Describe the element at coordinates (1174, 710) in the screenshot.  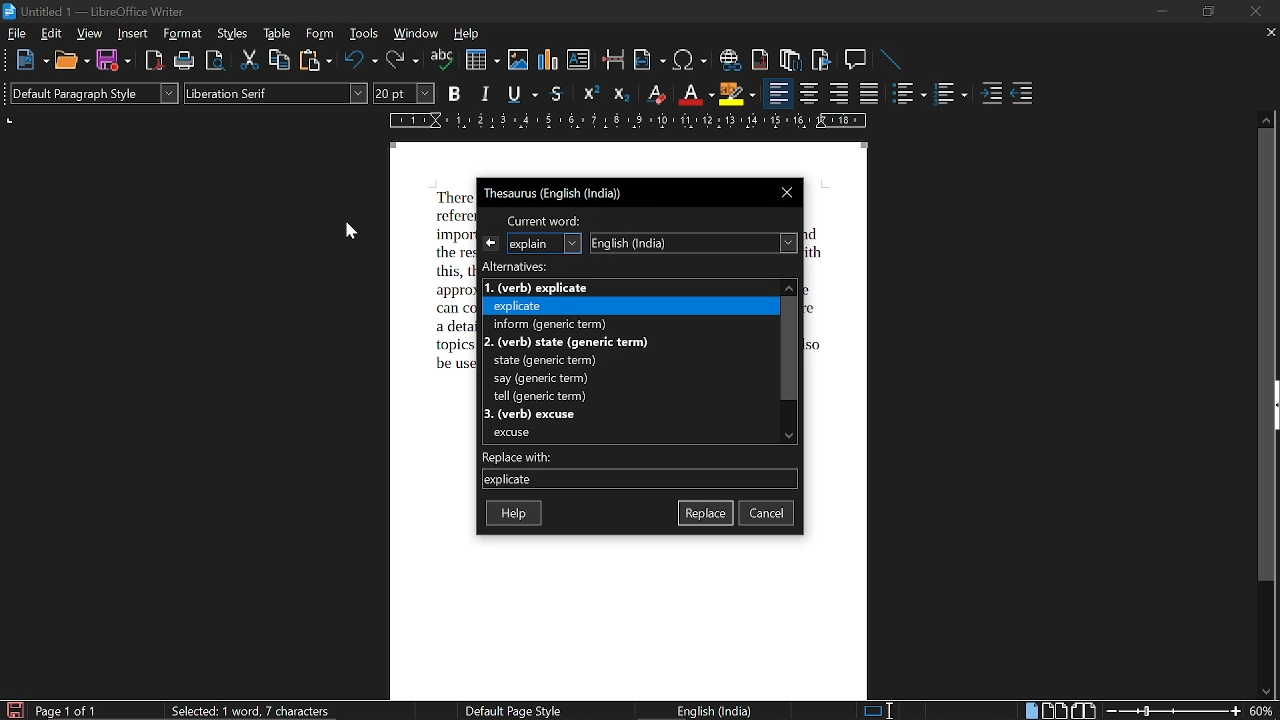
I see `change zoom` at that location.